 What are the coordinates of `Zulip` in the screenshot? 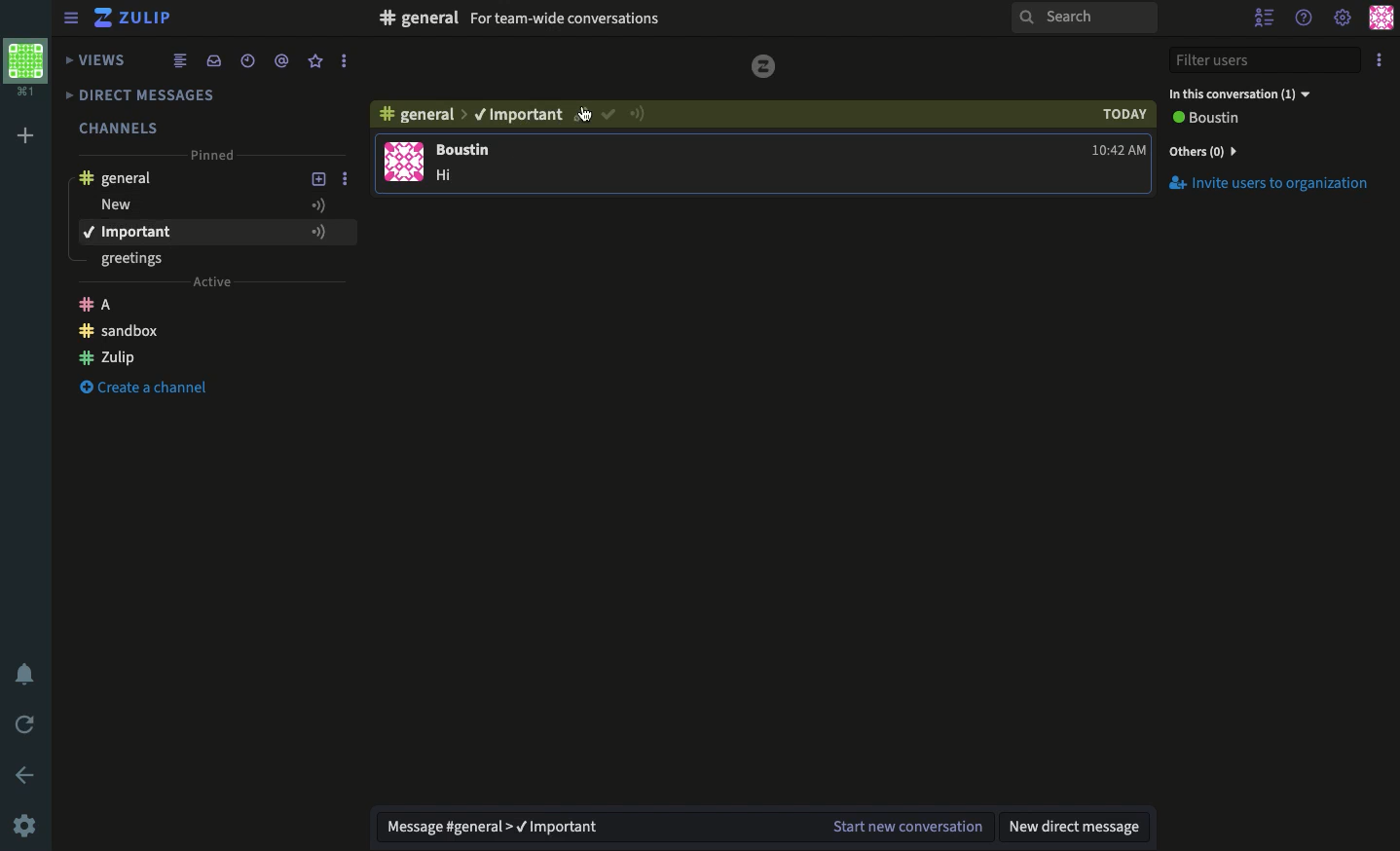 It's located at (137, 18).